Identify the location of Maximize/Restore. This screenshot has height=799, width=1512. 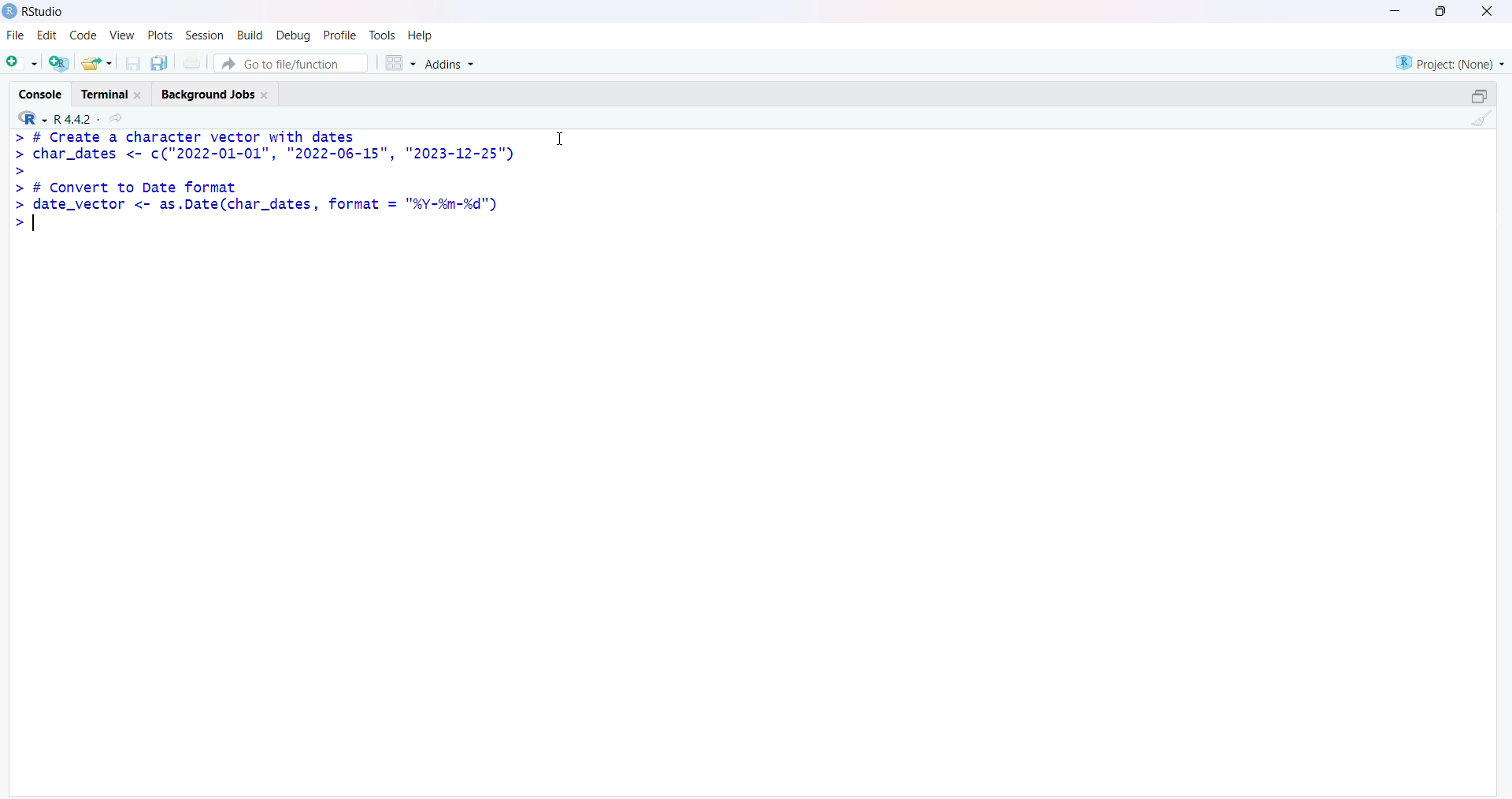
(1479, 95).